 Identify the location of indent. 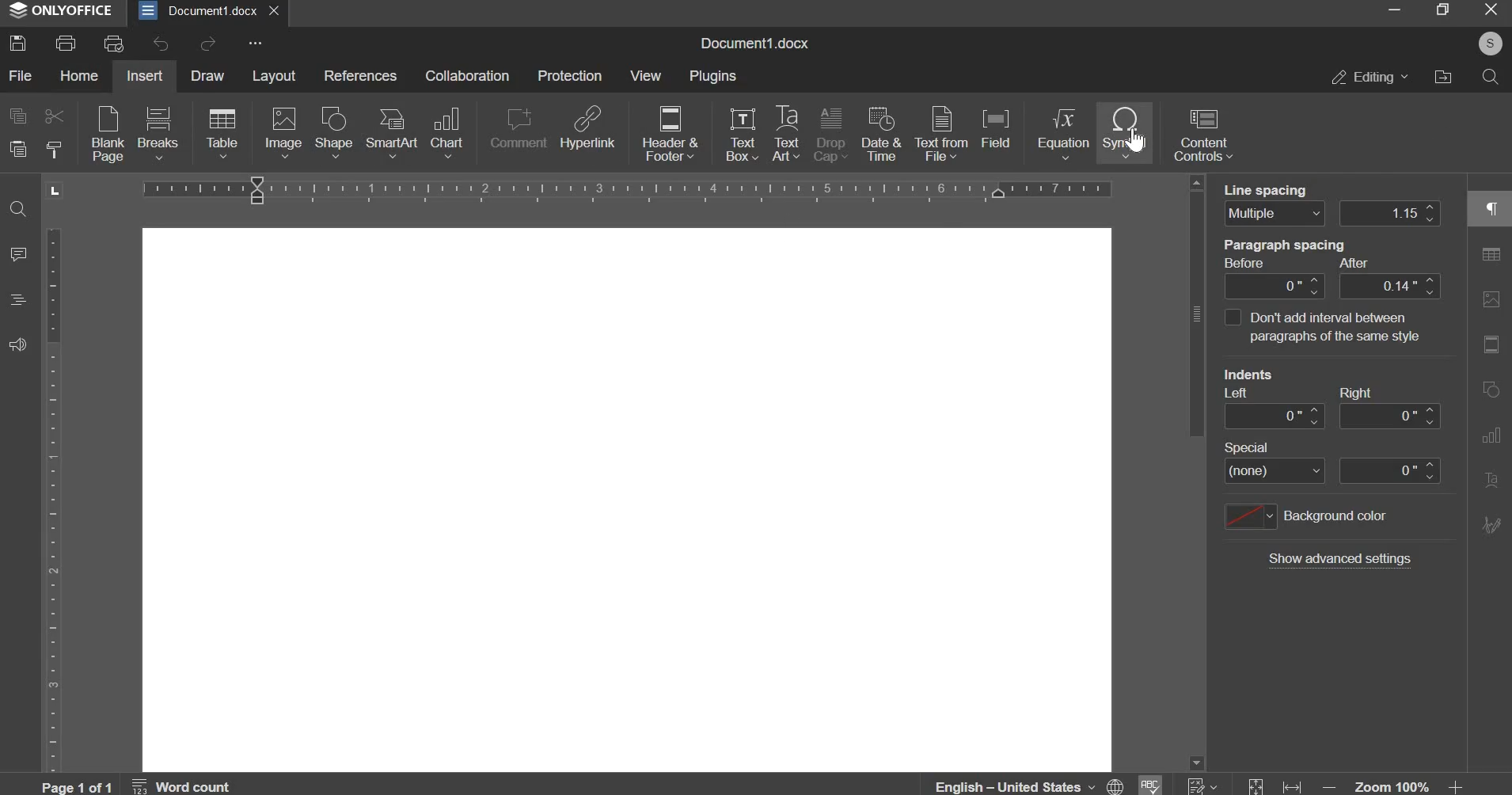
(1331, 415).